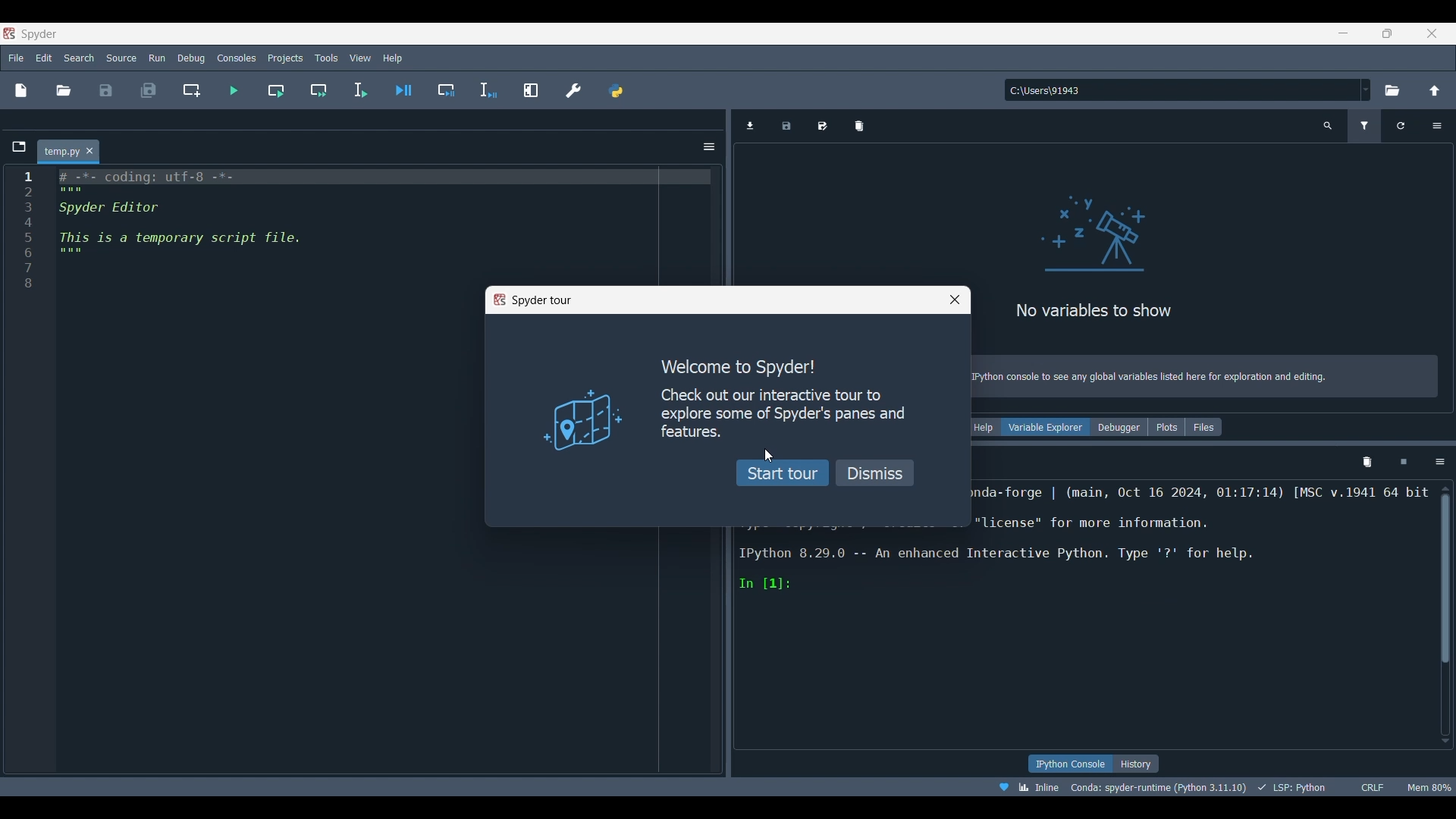 This screenshot has width=1456, height=819. What do you see at coordinates (63, 91) in the screenshot?
I see `Open` at bounding box center [63, 91].